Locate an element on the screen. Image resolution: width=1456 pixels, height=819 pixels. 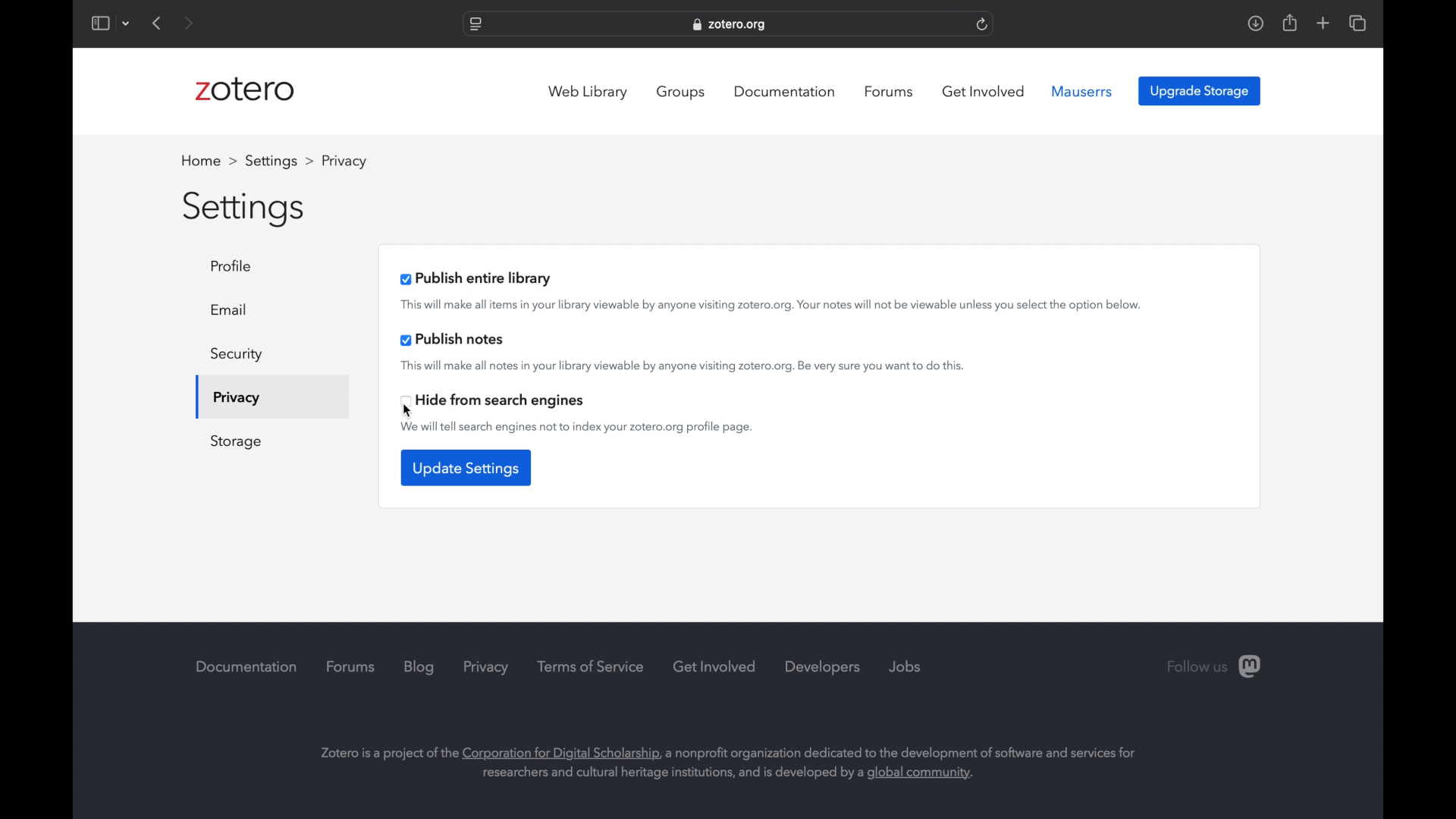
privacy is located at coordinates (488, 667).